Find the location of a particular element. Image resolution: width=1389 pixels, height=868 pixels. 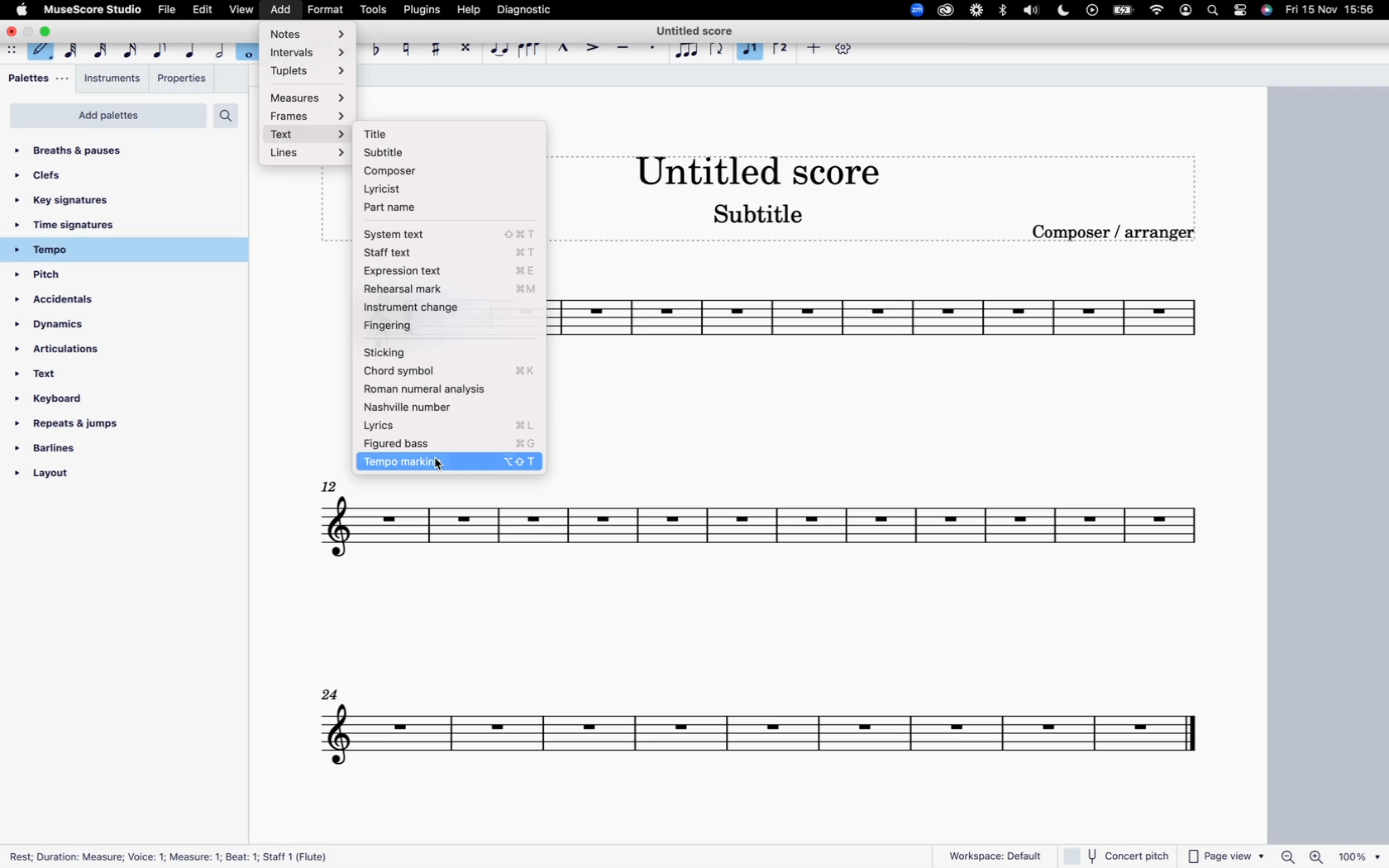

zoom percentage is located at coordinates (1327, 856).